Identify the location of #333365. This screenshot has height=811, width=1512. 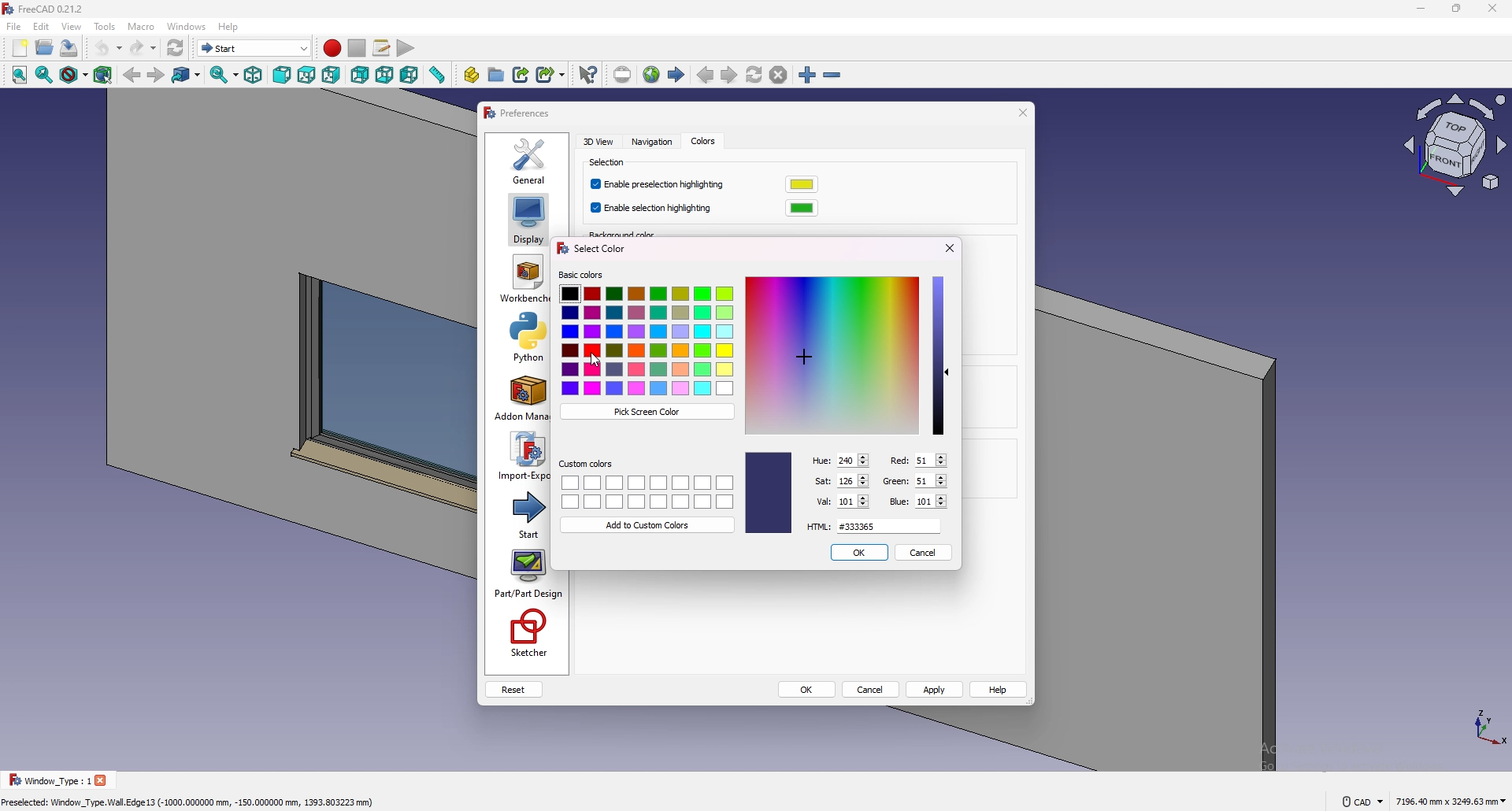
(888, 526).